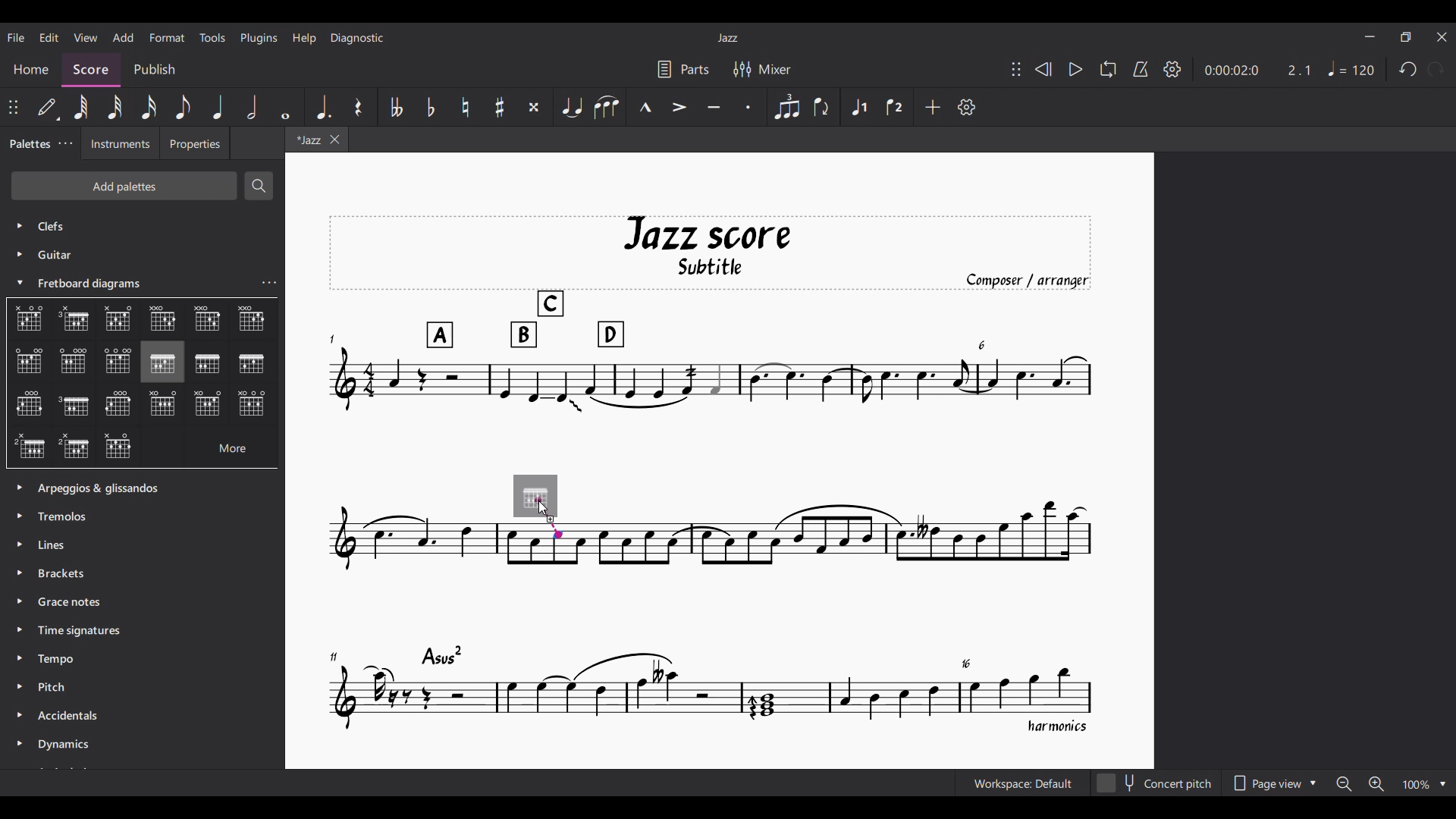 The image size is (1456, 819). What do you see at coordinates (86, 38) in the screenshot?
I see `View menu` at bounding box center [86, 38].